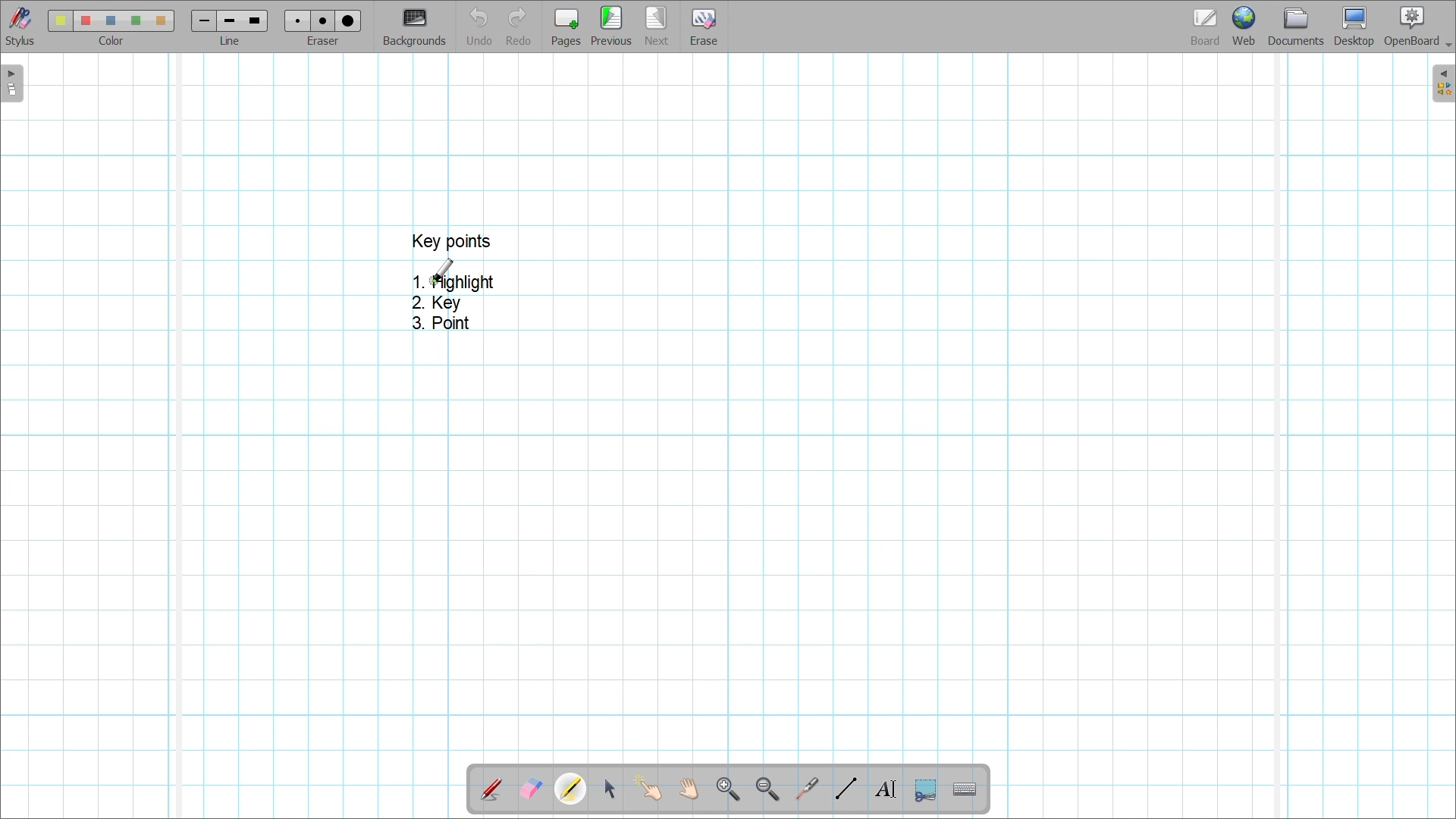  I want to click on color 2, so click(85, 21).